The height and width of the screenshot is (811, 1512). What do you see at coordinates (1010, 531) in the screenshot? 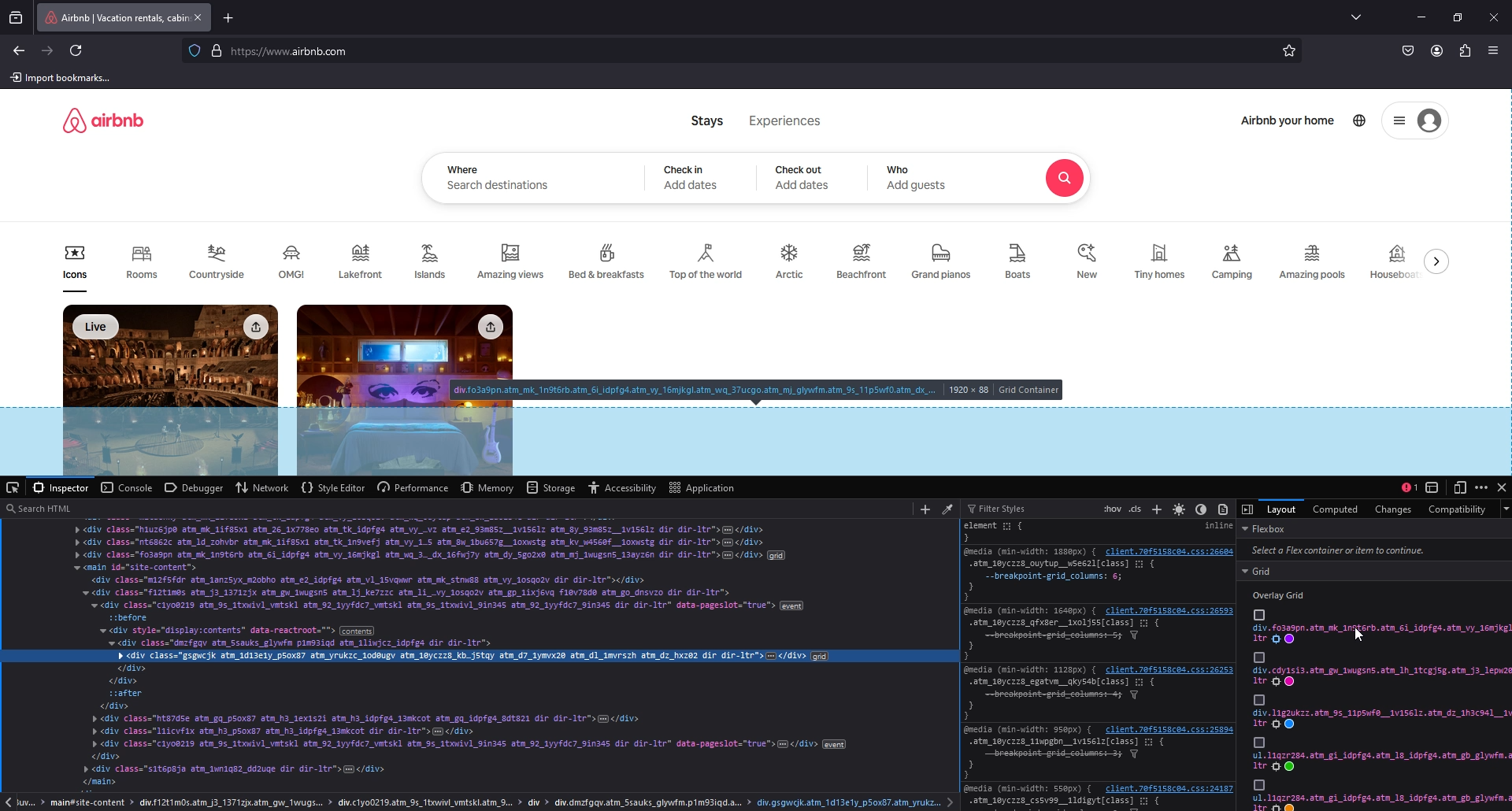
I see `elements` at bounding box center [1010, 531].